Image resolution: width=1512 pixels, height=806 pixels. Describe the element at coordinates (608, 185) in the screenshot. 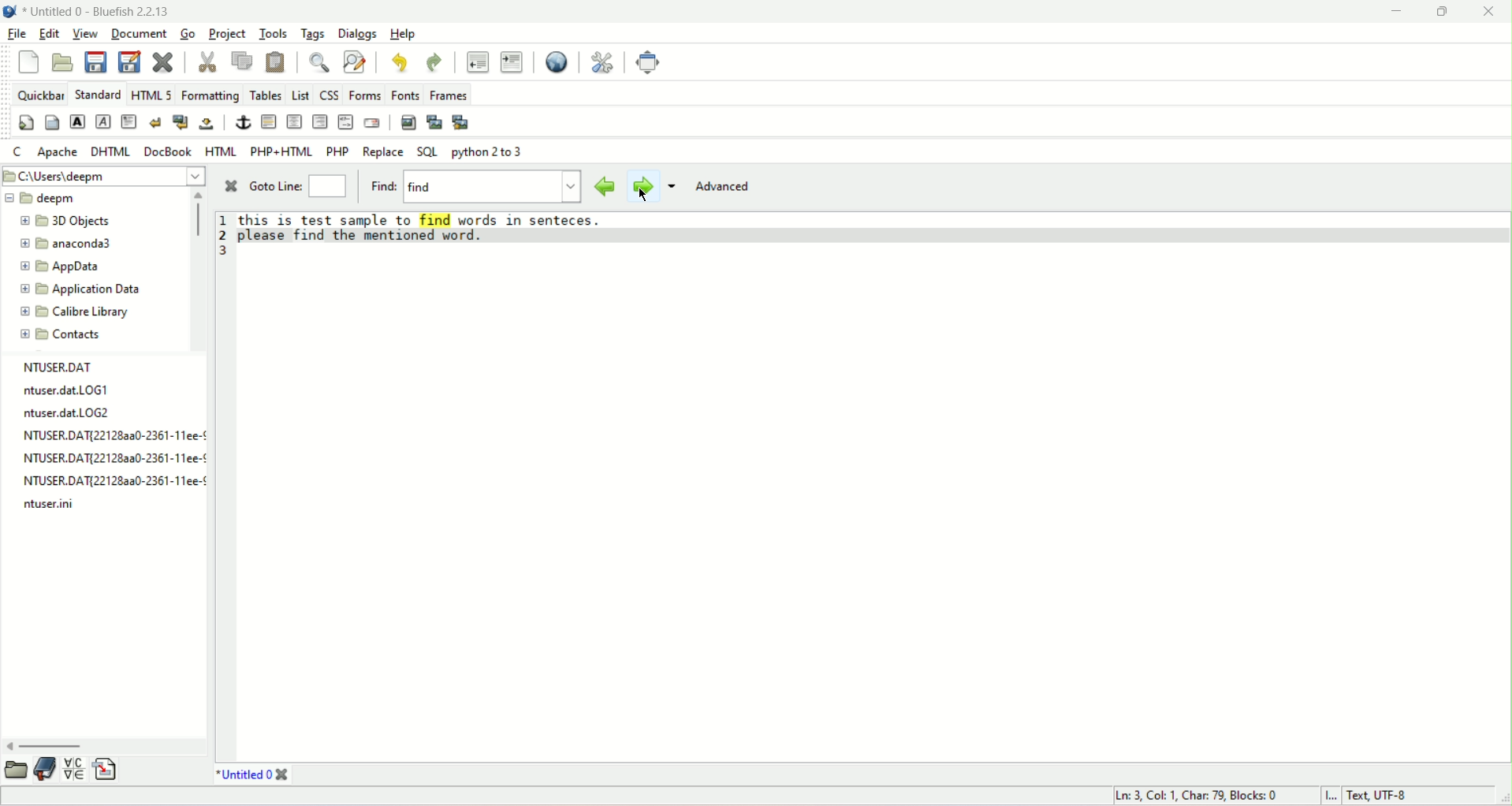

I see `previous` at that location.